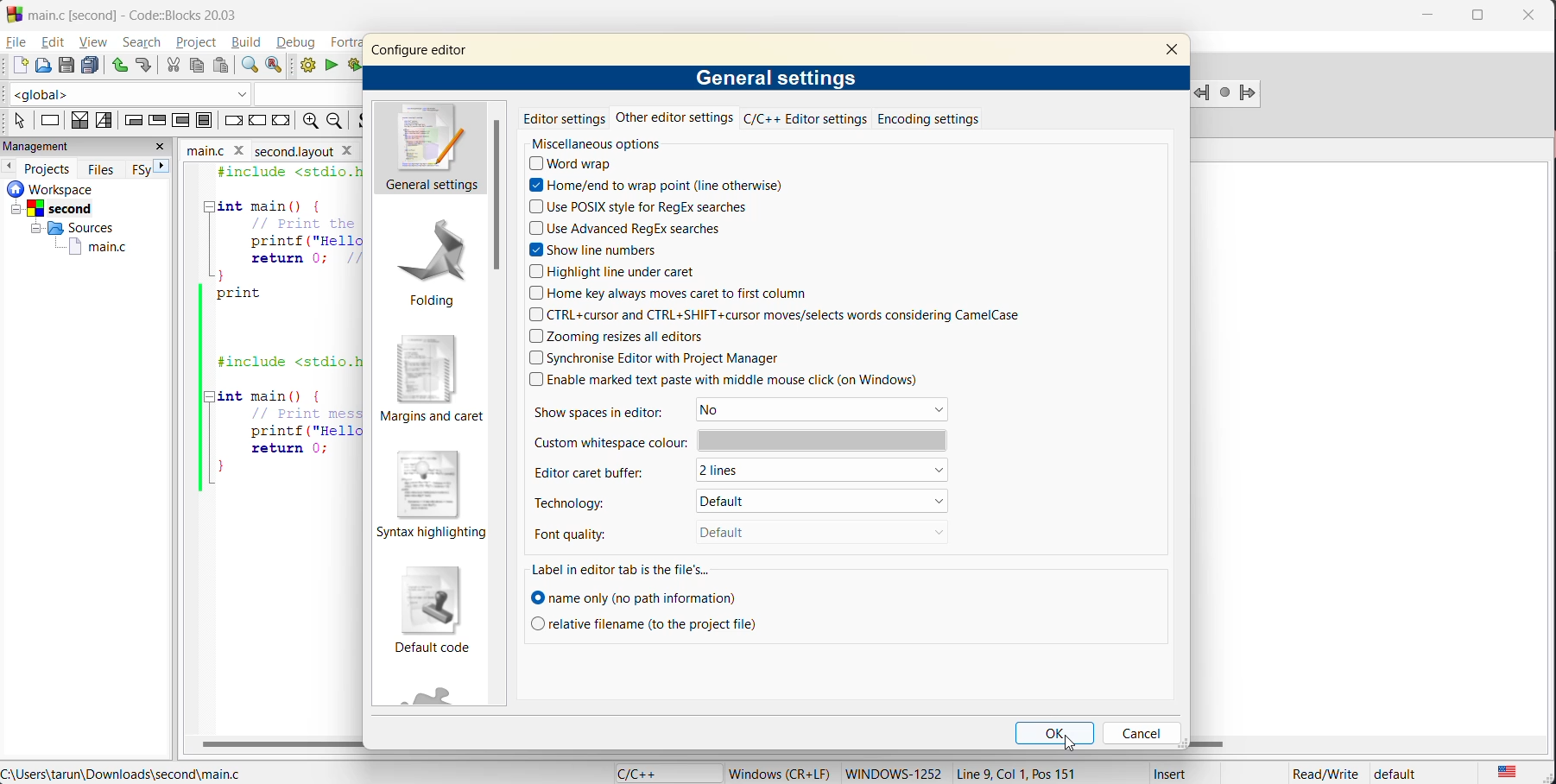 The height and width of the screenshot is (784, 1556). Describe the element at coordinates (198, 66) in the screenshot. I see `copy` at that location.